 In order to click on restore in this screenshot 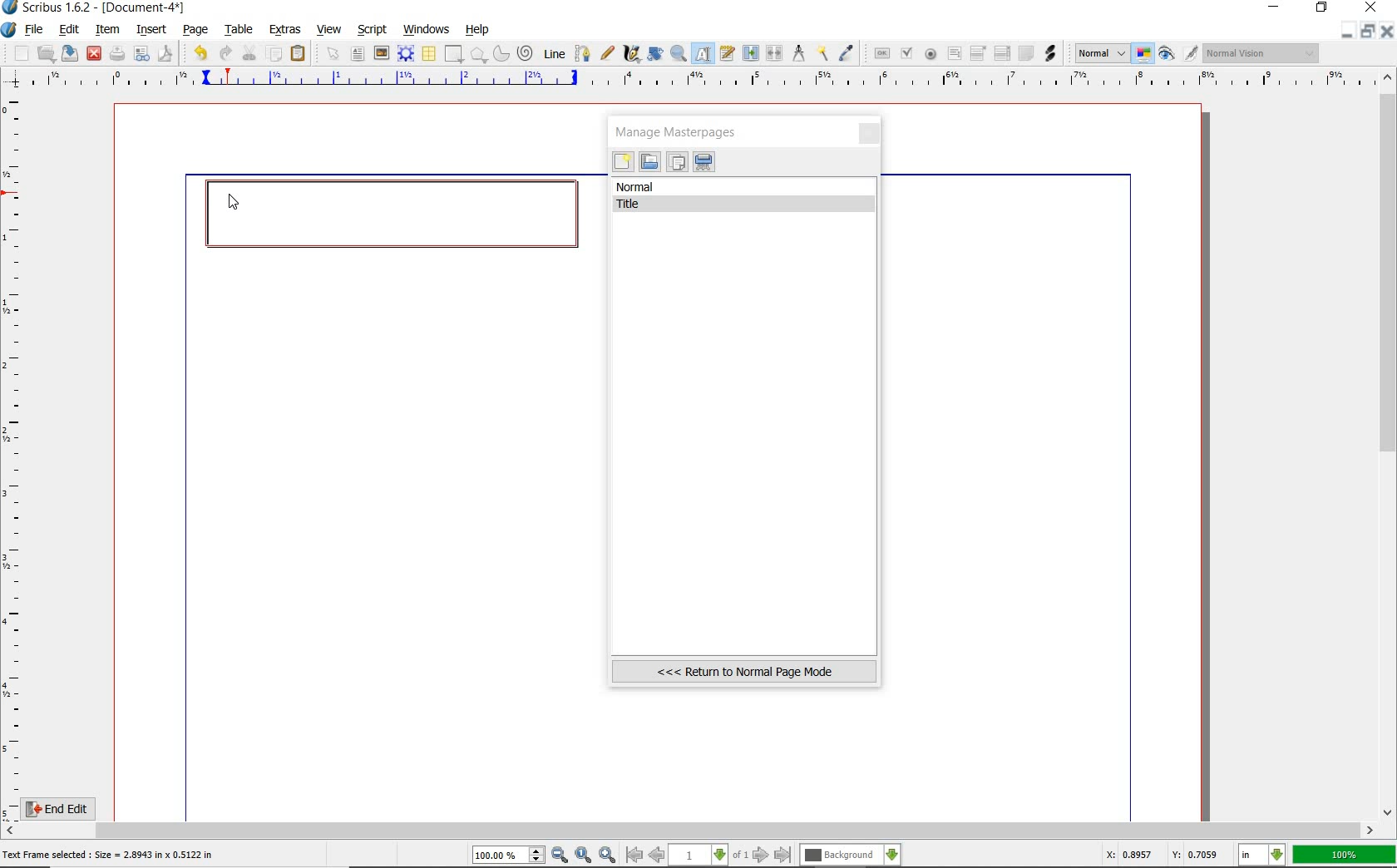, I will do `click(1323, 9)`.